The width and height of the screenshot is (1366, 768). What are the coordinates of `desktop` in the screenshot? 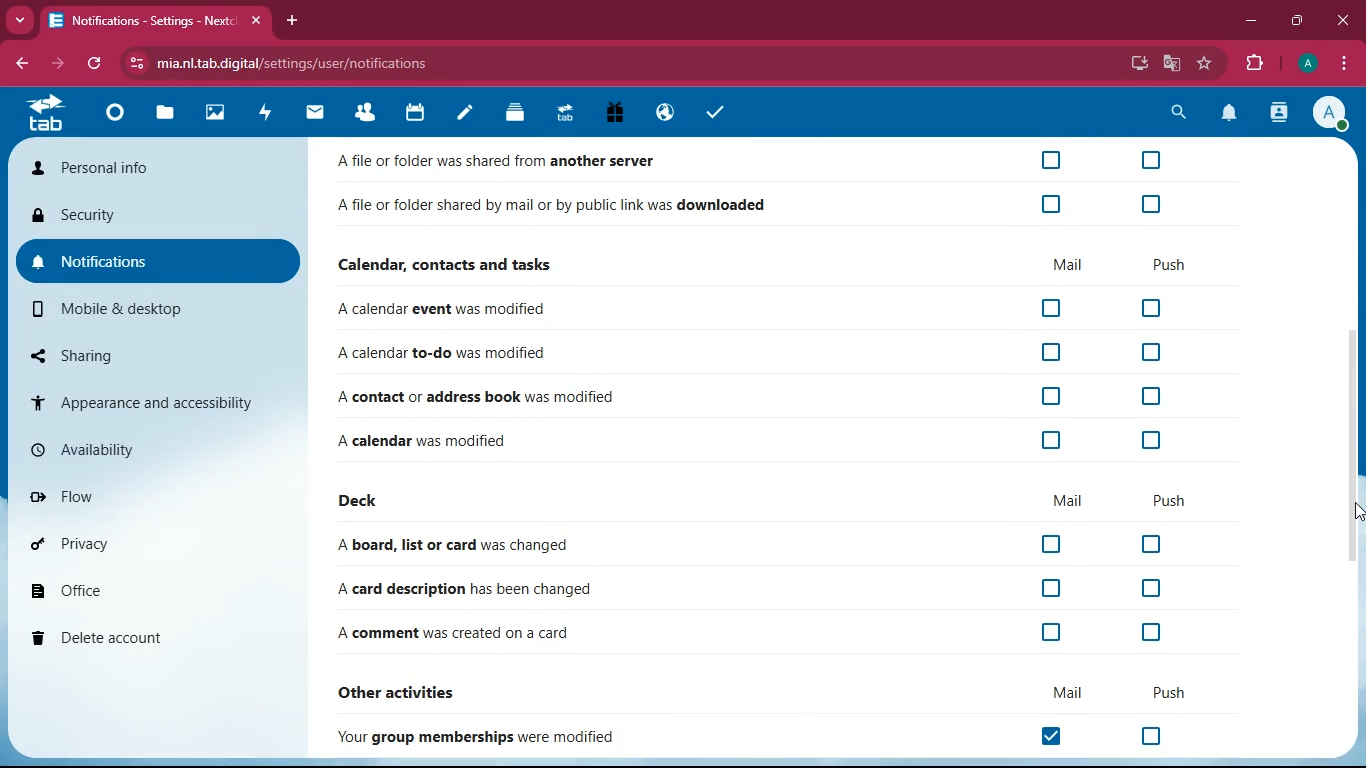 It's located at (1138, 65).